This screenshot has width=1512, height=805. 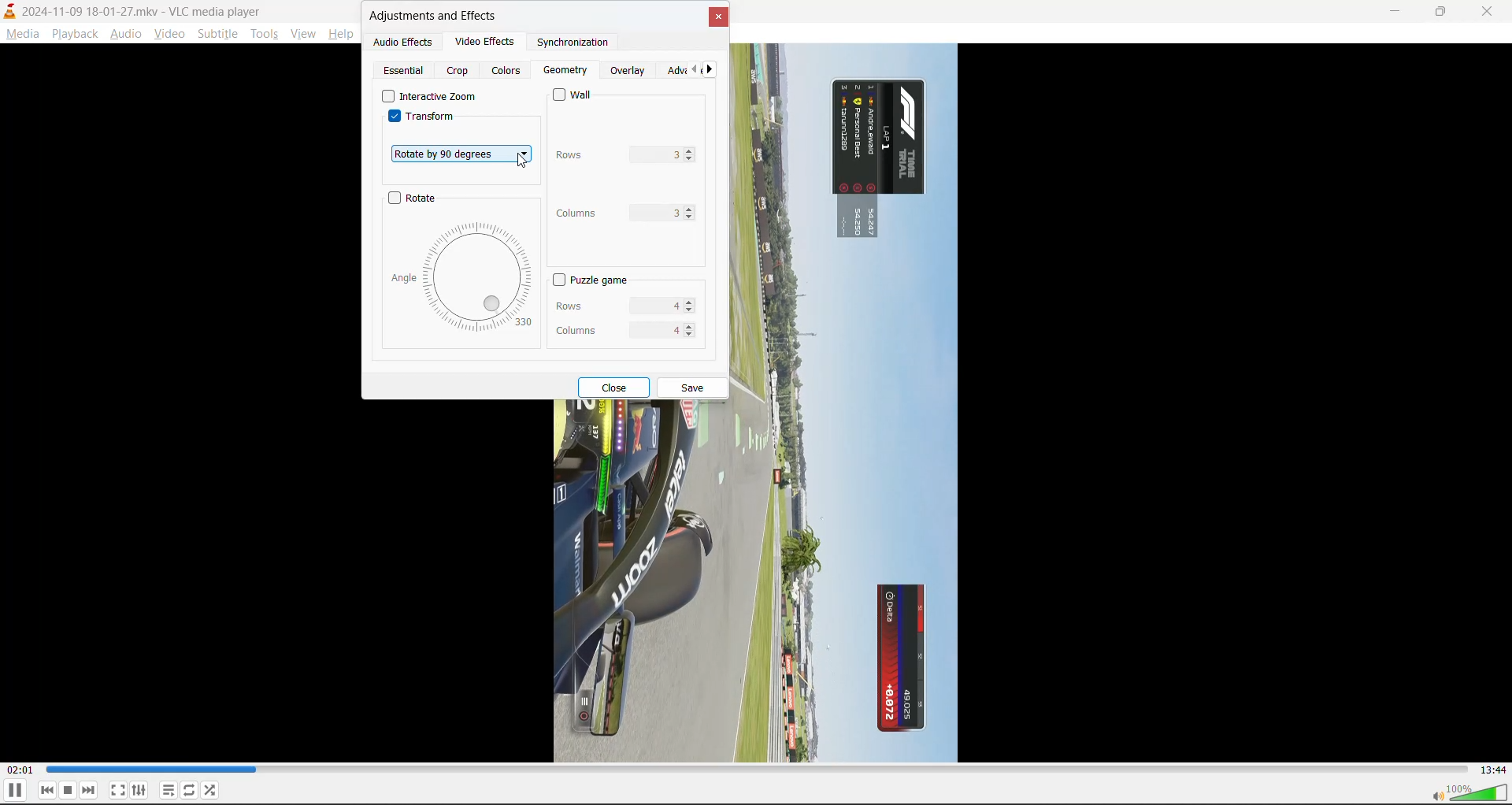 What do you see at coordinates (606, 154) in the screenshot?
I see `rows` at bounding box center [606, 154].